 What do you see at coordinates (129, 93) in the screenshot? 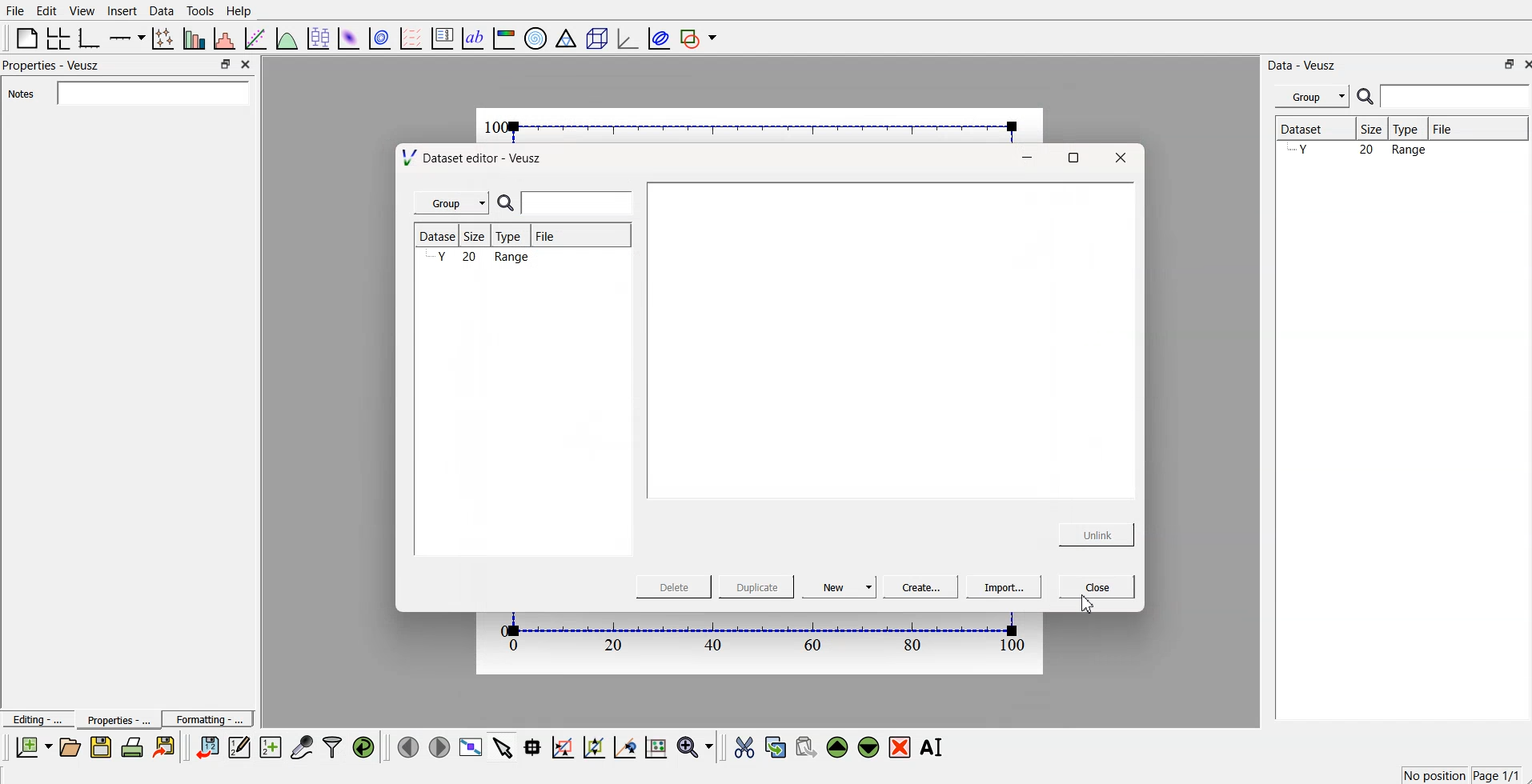
I see `Notes` at bounding box center [129, 93].